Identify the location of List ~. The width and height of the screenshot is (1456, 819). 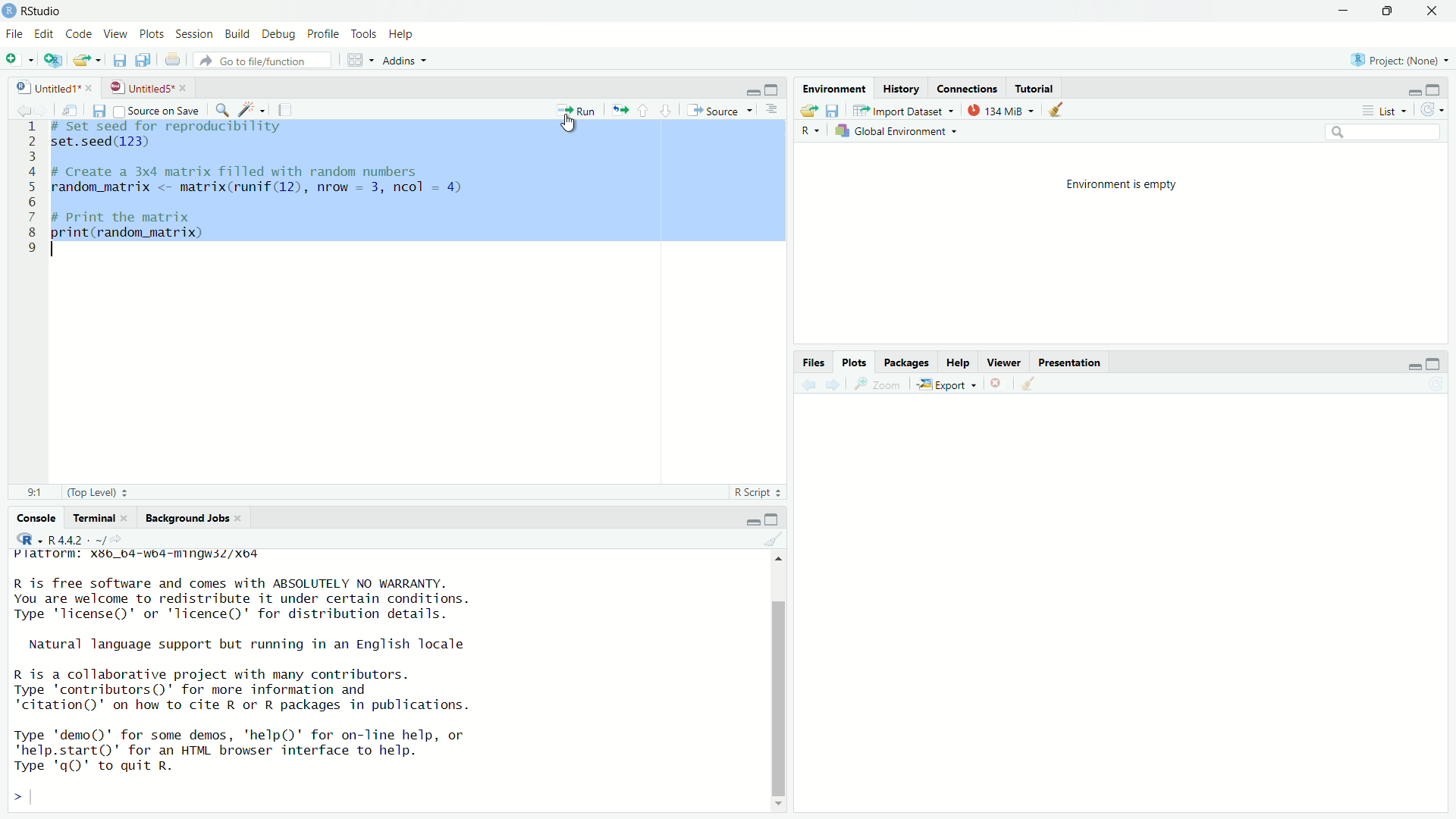
(1382, 111).